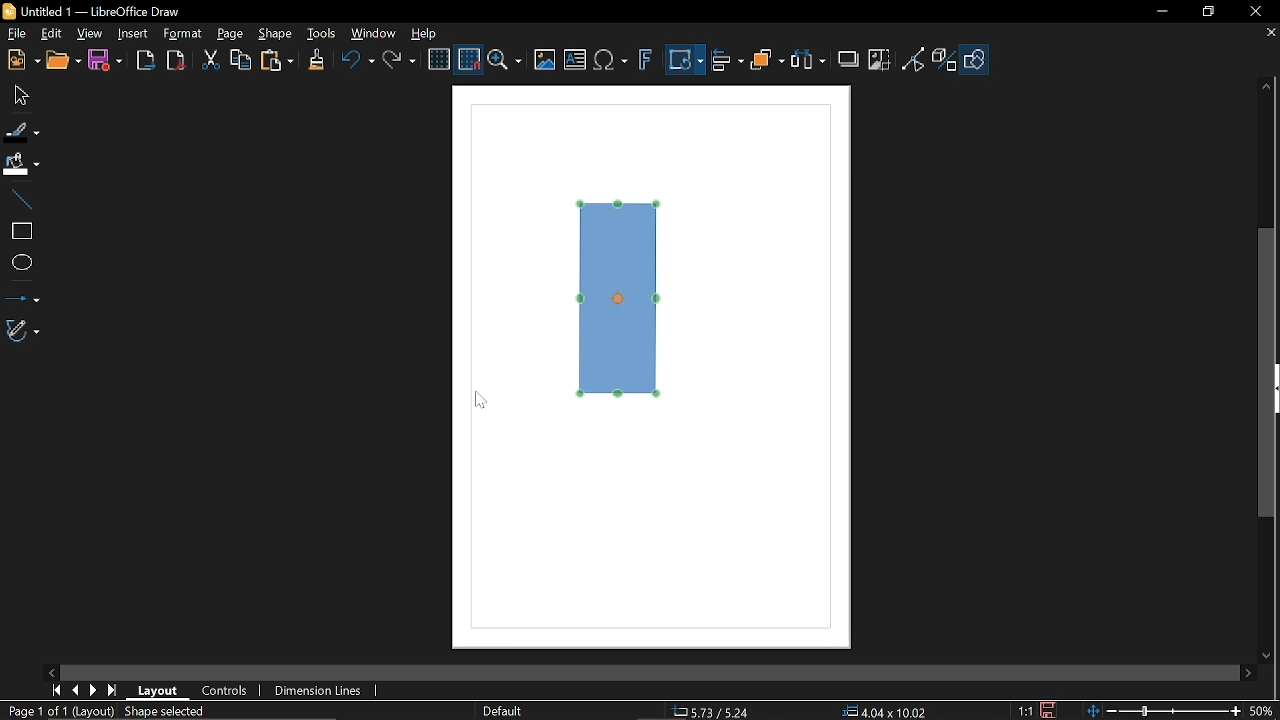 The width and height of the screenshot is (1280, 720). I want to click on Insert , so click(132, 35).